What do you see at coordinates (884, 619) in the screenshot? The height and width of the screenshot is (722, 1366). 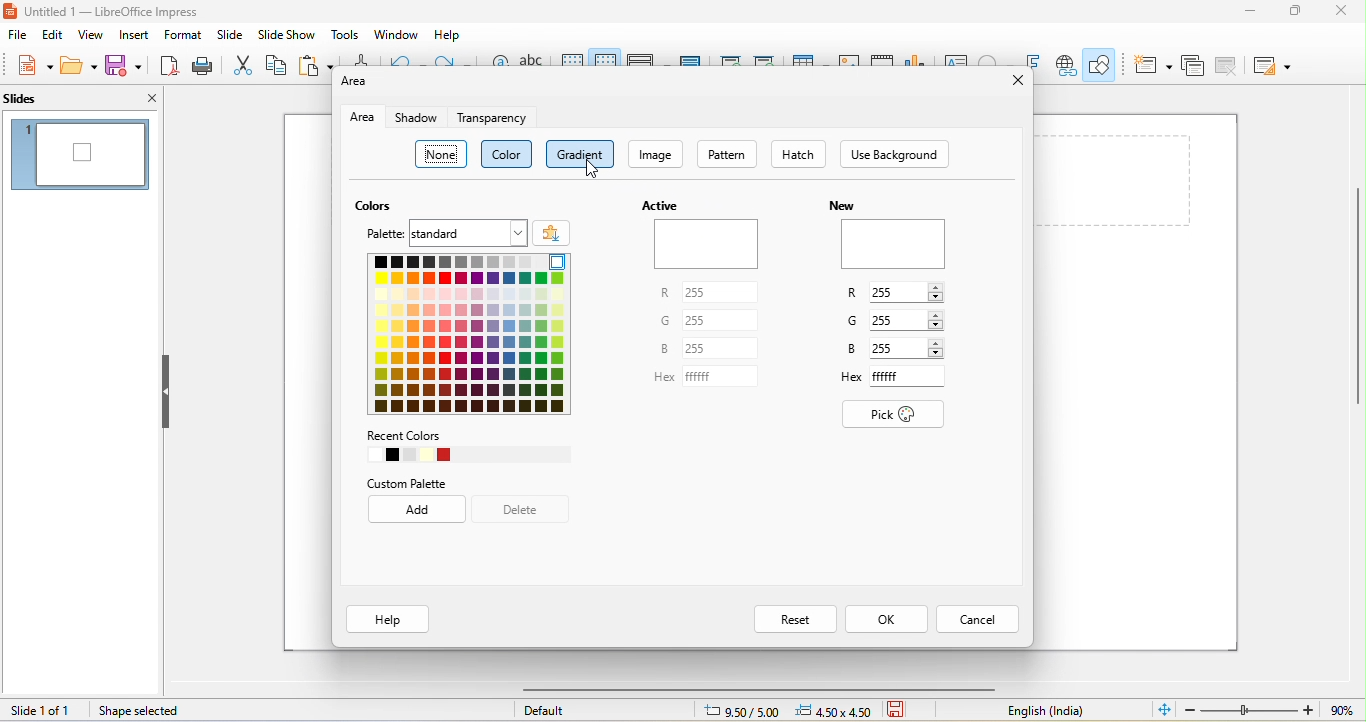 I see `ok` at bounding box center [884, 619].